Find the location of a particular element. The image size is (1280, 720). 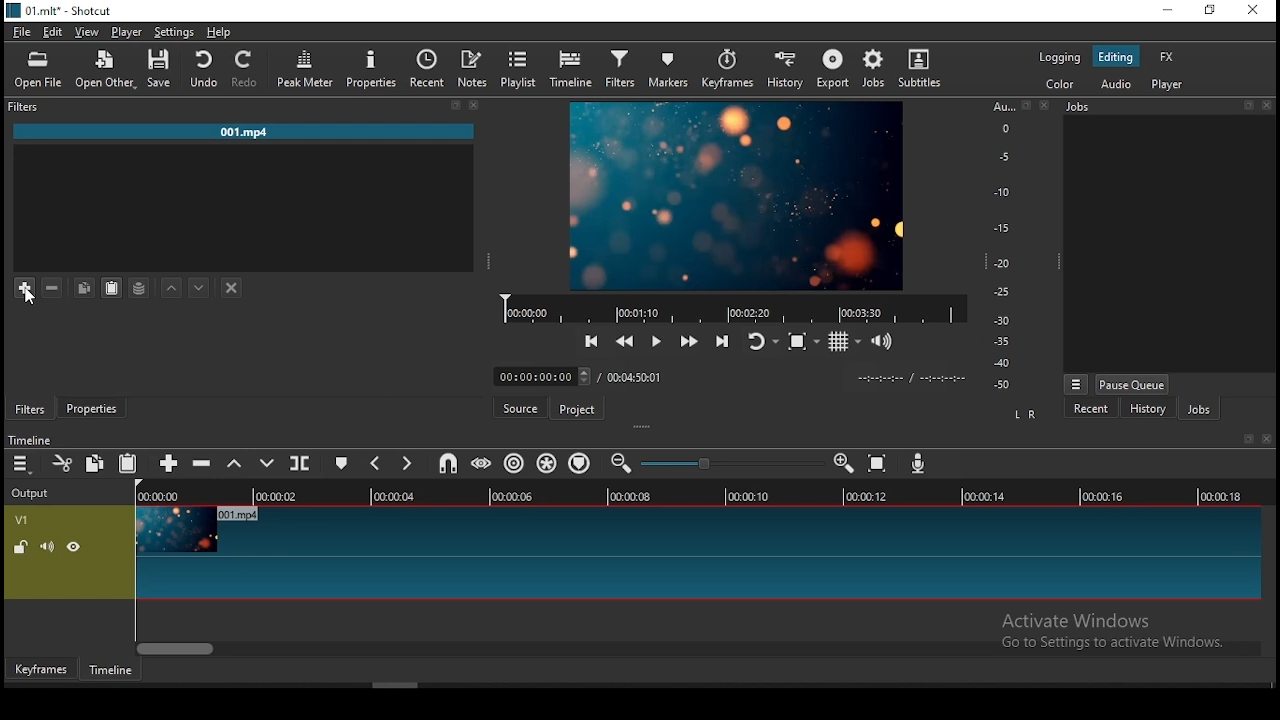

fullscreen is located at coordinates (1246, 105).